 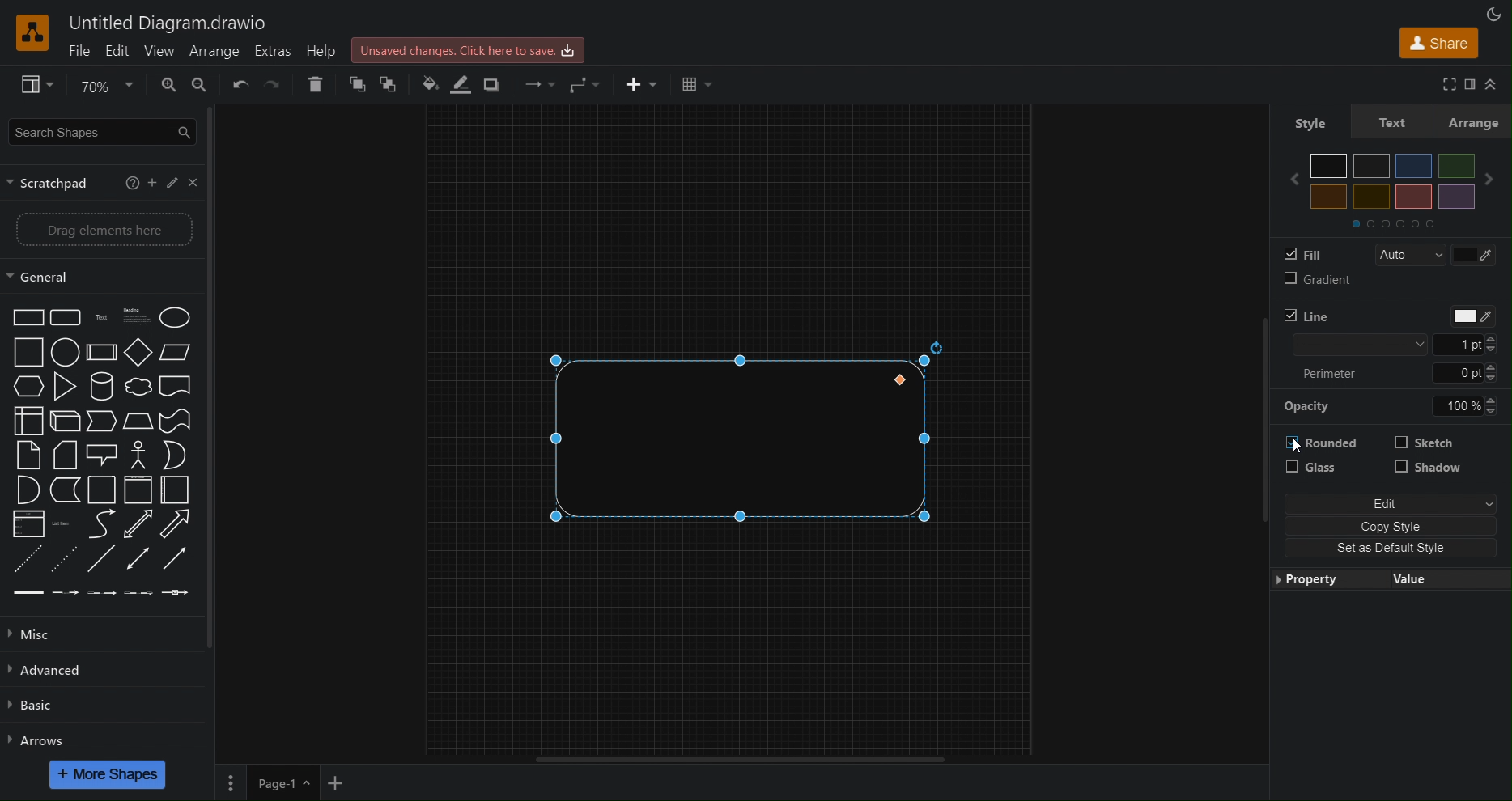 I want to click on Shadow, so click(x=495, y=85).